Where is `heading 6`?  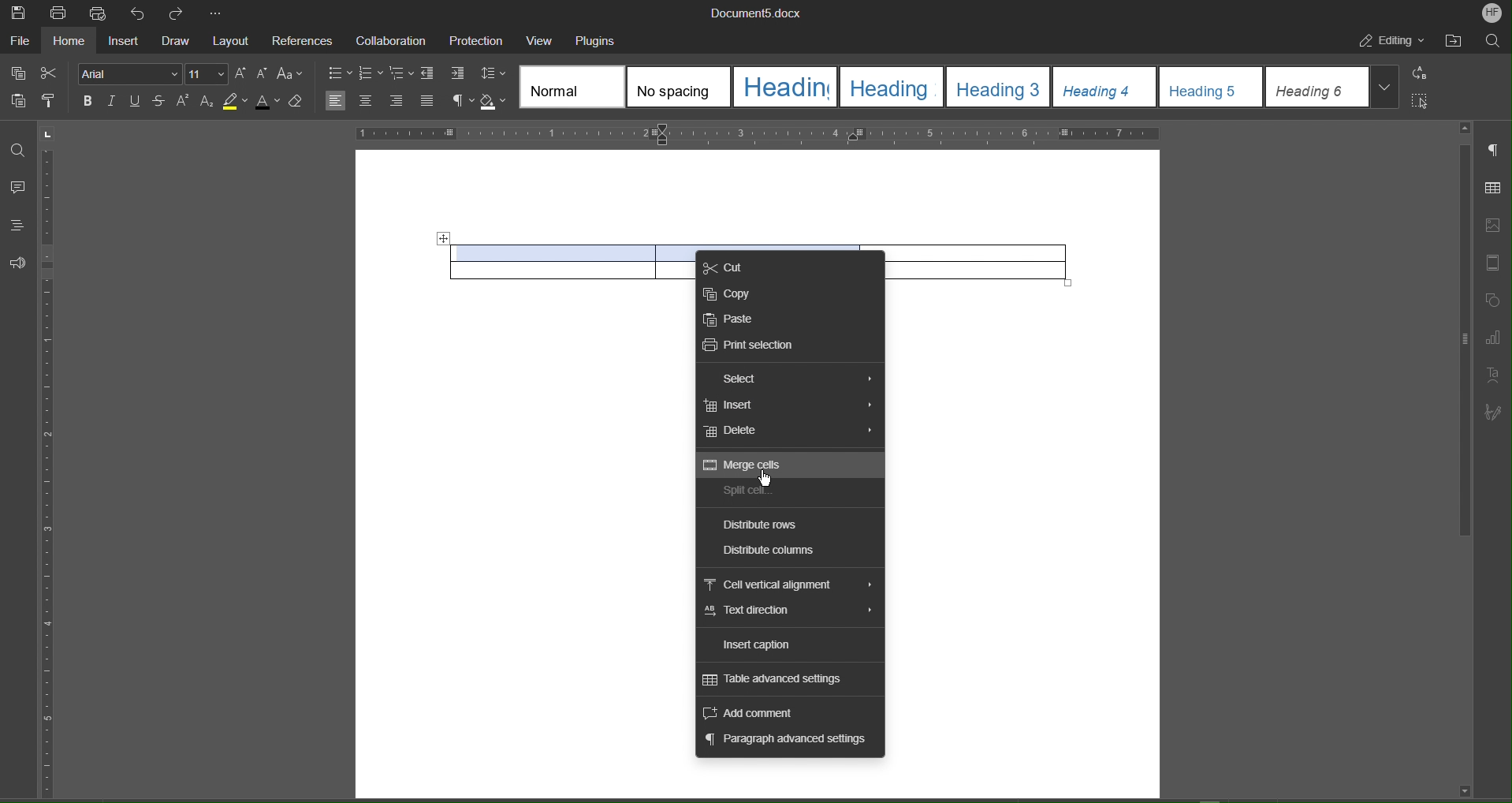
heading 6 is located at coordinates (1317, 87).